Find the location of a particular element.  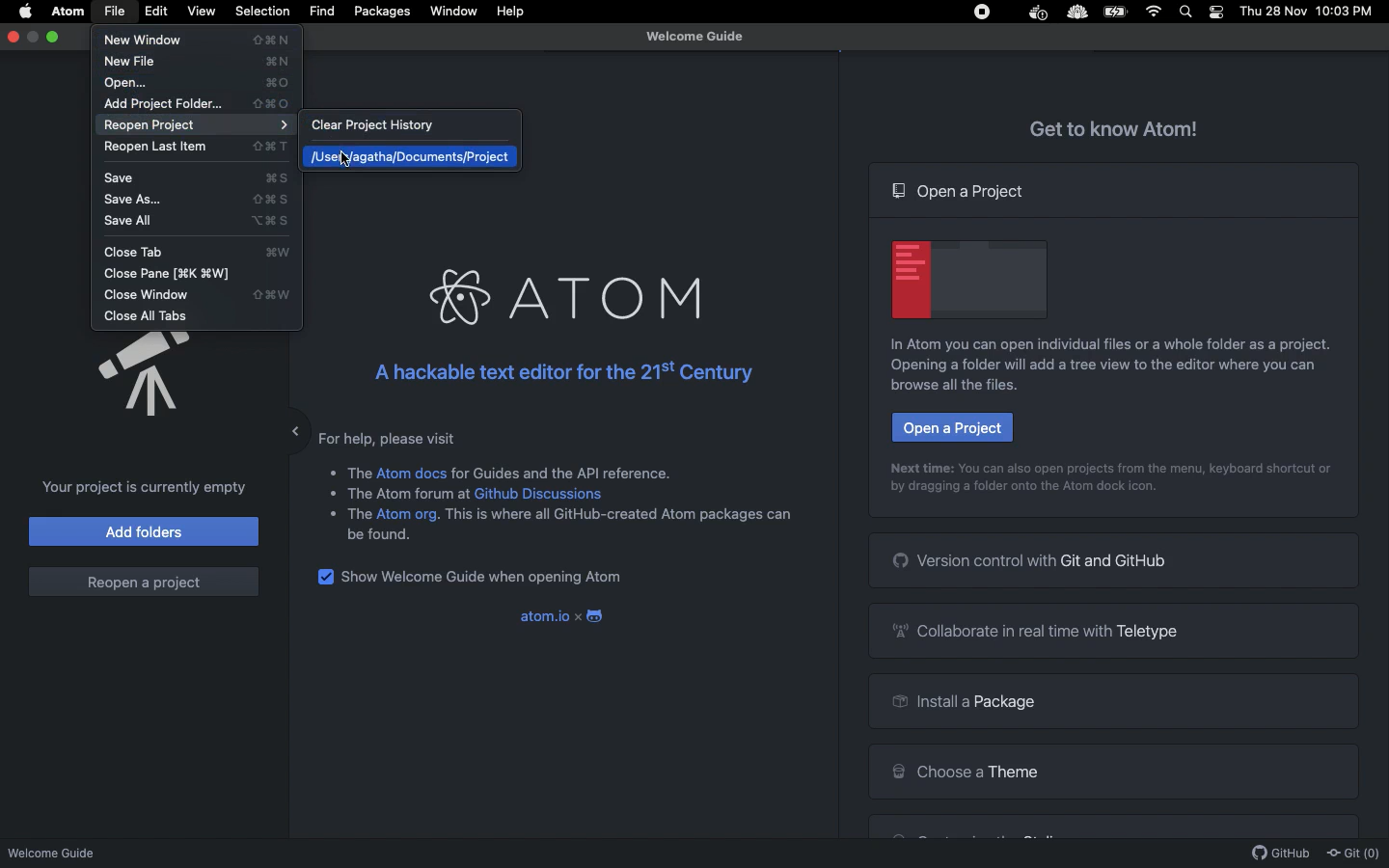

Open a project is located at coordinates (961, 191).